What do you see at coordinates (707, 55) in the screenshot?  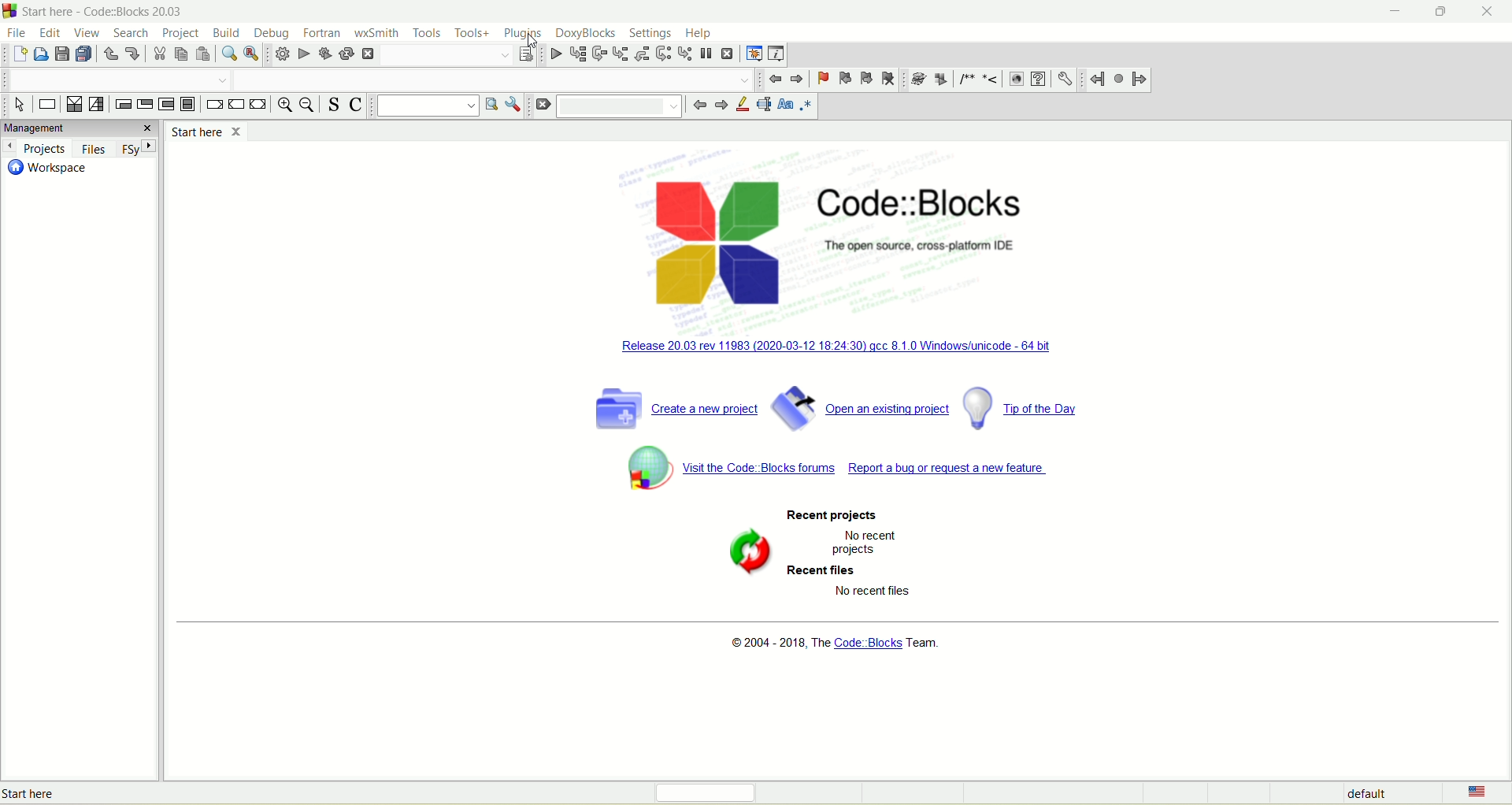 I see `break debugger` at bounding box center [707, 55].